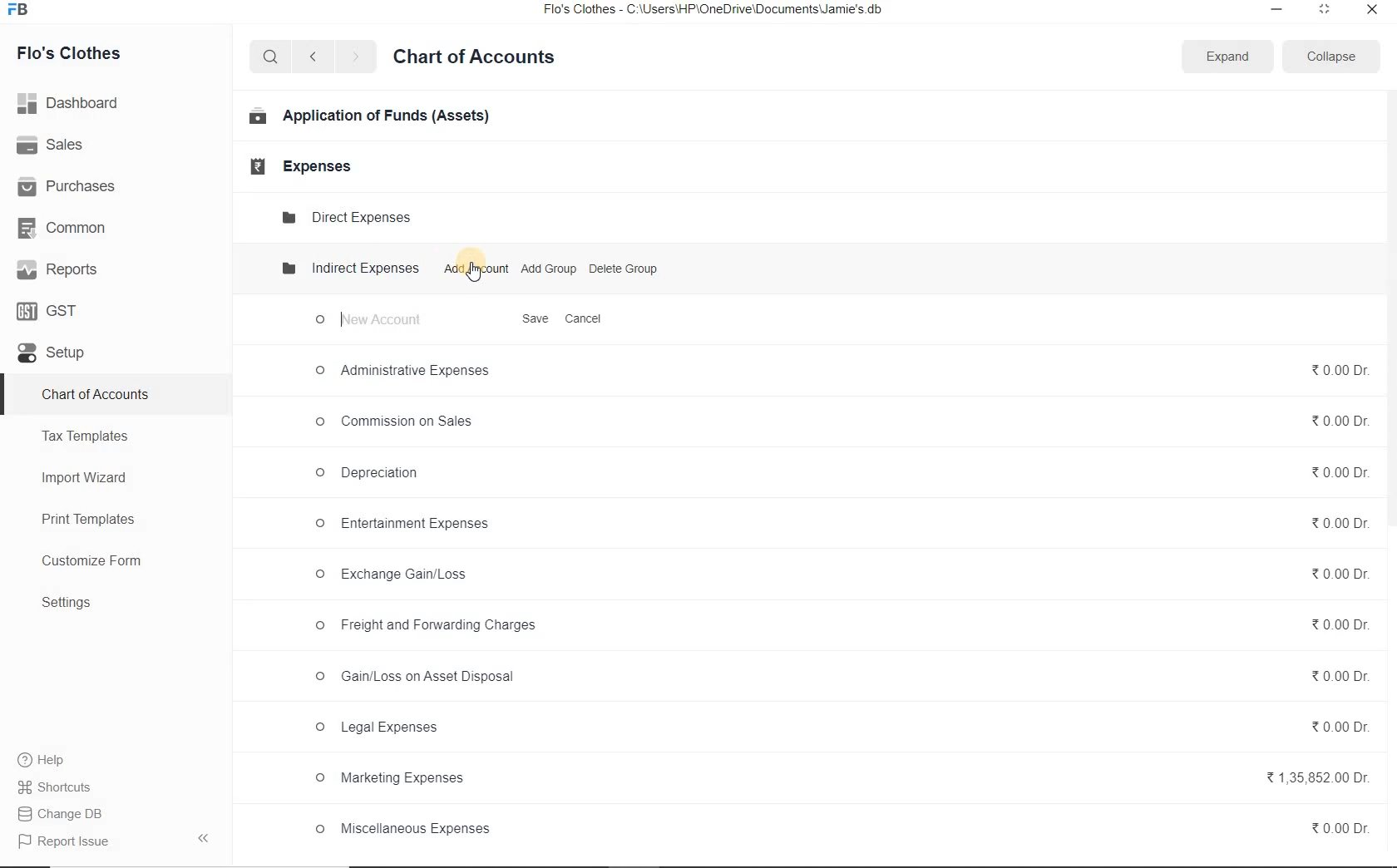 Image resolution: width=1397 pixels, height=868 pixels. What do you see at coordinates (842, 780) in the screenshot?
I see `© Marketing Expenses %1,35,852.00 Dr.` at bounding box center [842, 780].